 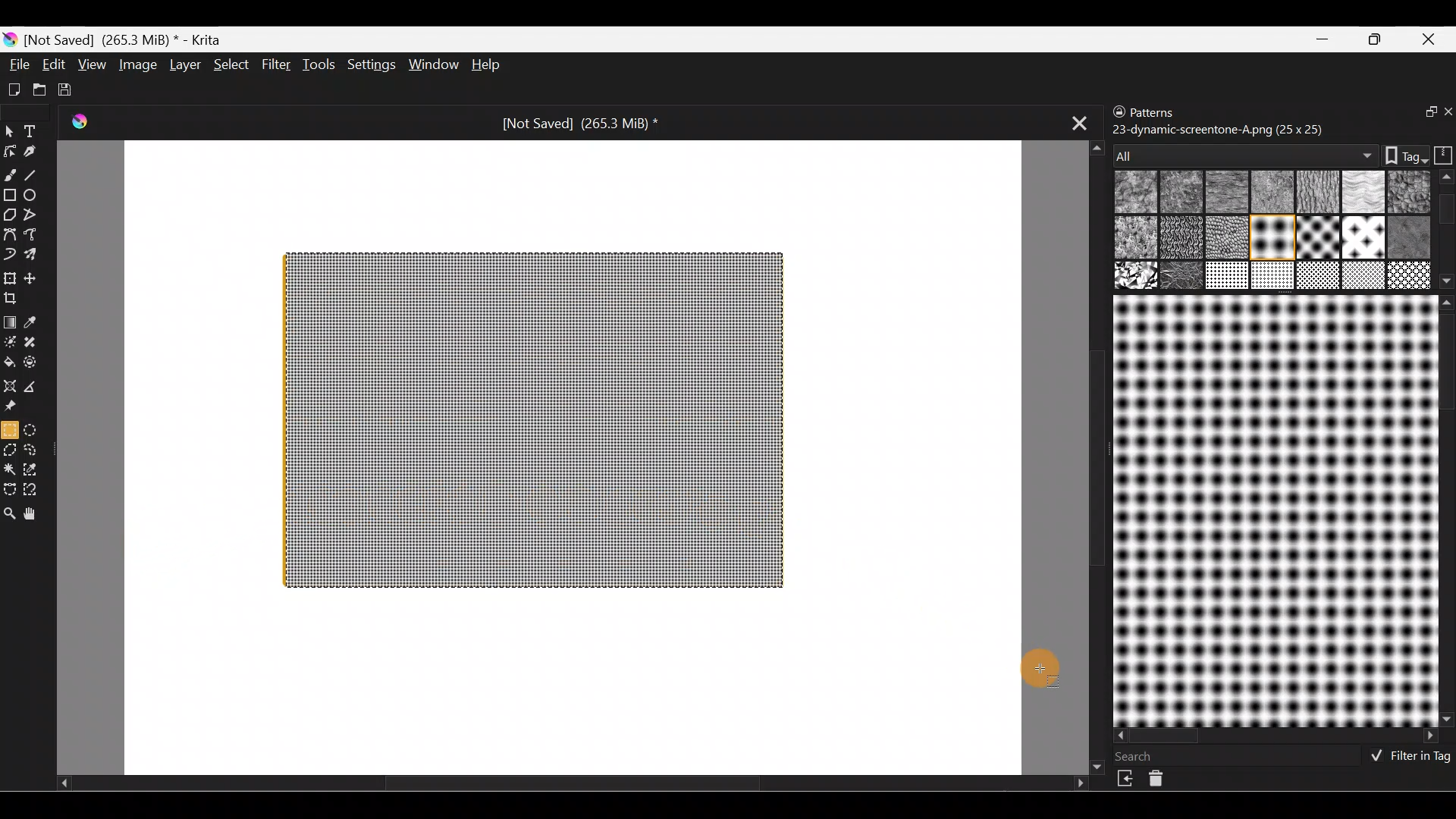 What do you see at coordinates (10, 515) in the screenshot?
I see `Zoom tool` at bounding box center [10, 515].